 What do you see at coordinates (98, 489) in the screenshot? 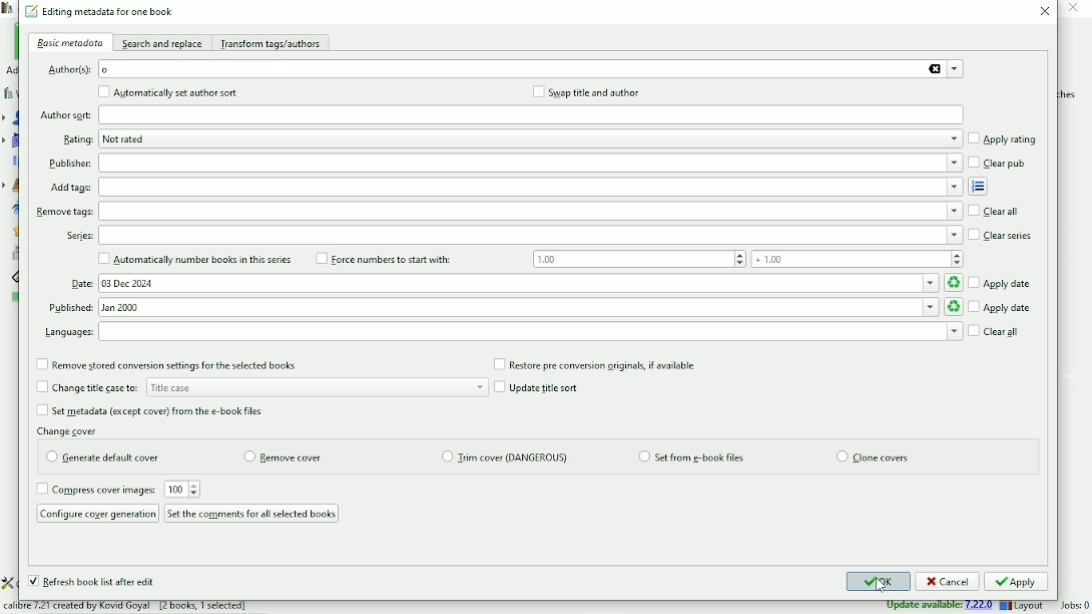
I see `Compress cover images` at bounding box center [98, 489].